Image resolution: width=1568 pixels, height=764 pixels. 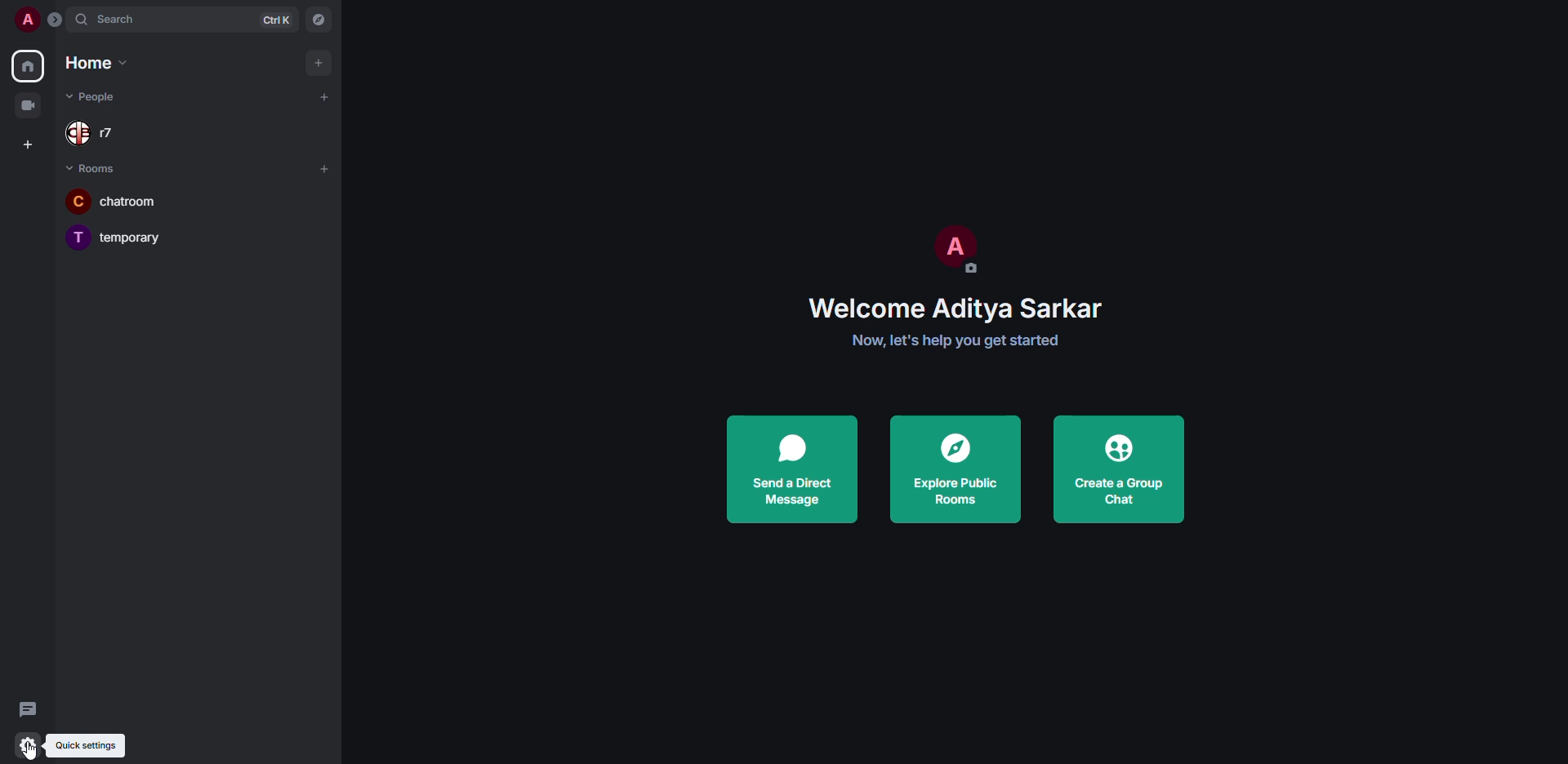 What do you see at coordinates (959, 469) in the screenshot?
I see `explore public rooms` at bounding box center [959, 469].